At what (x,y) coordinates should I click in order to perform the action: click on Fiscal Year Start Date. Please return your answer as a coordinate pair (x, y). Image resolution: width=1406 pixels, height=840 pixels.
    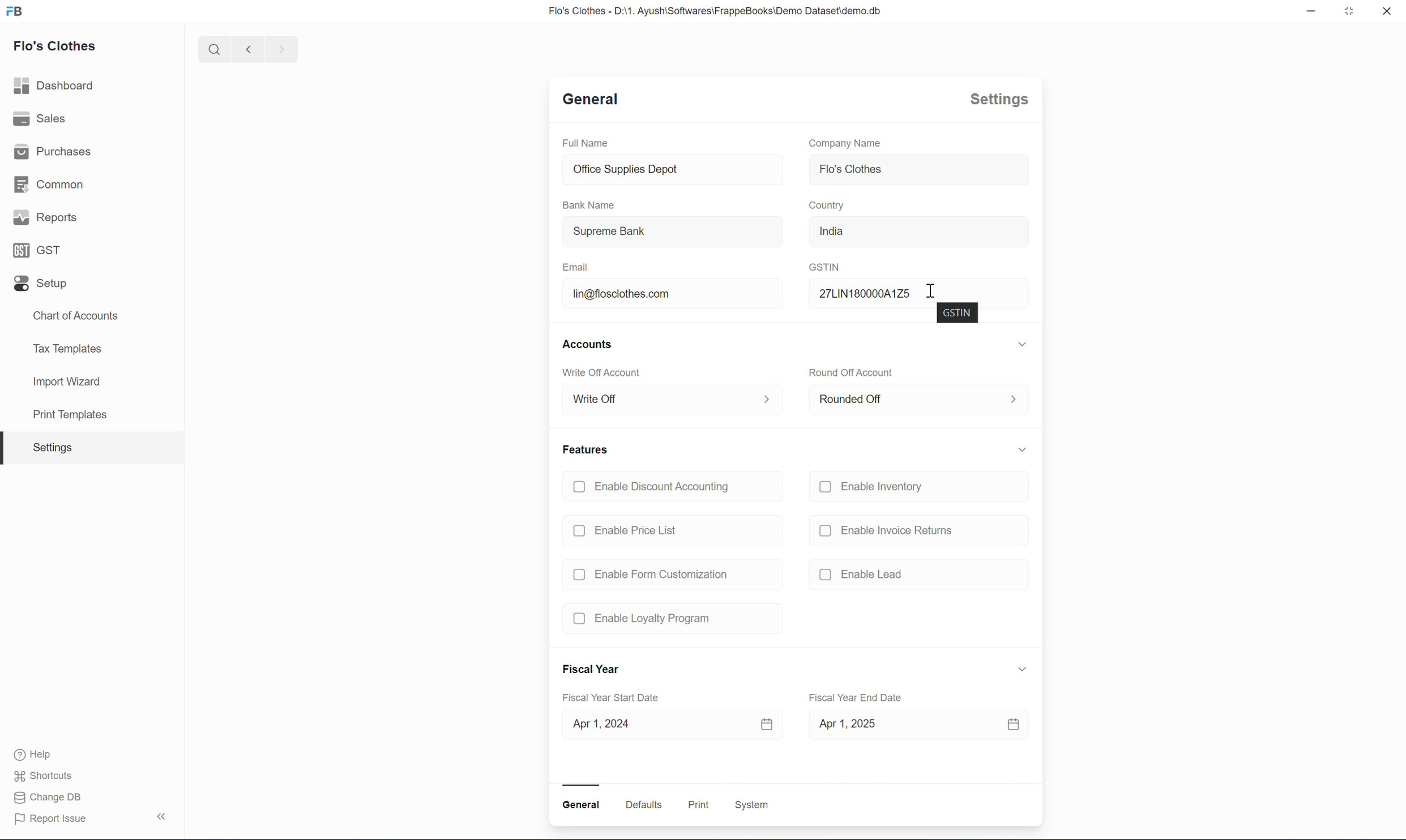
    Looking at the image, I should click on (610, 697).